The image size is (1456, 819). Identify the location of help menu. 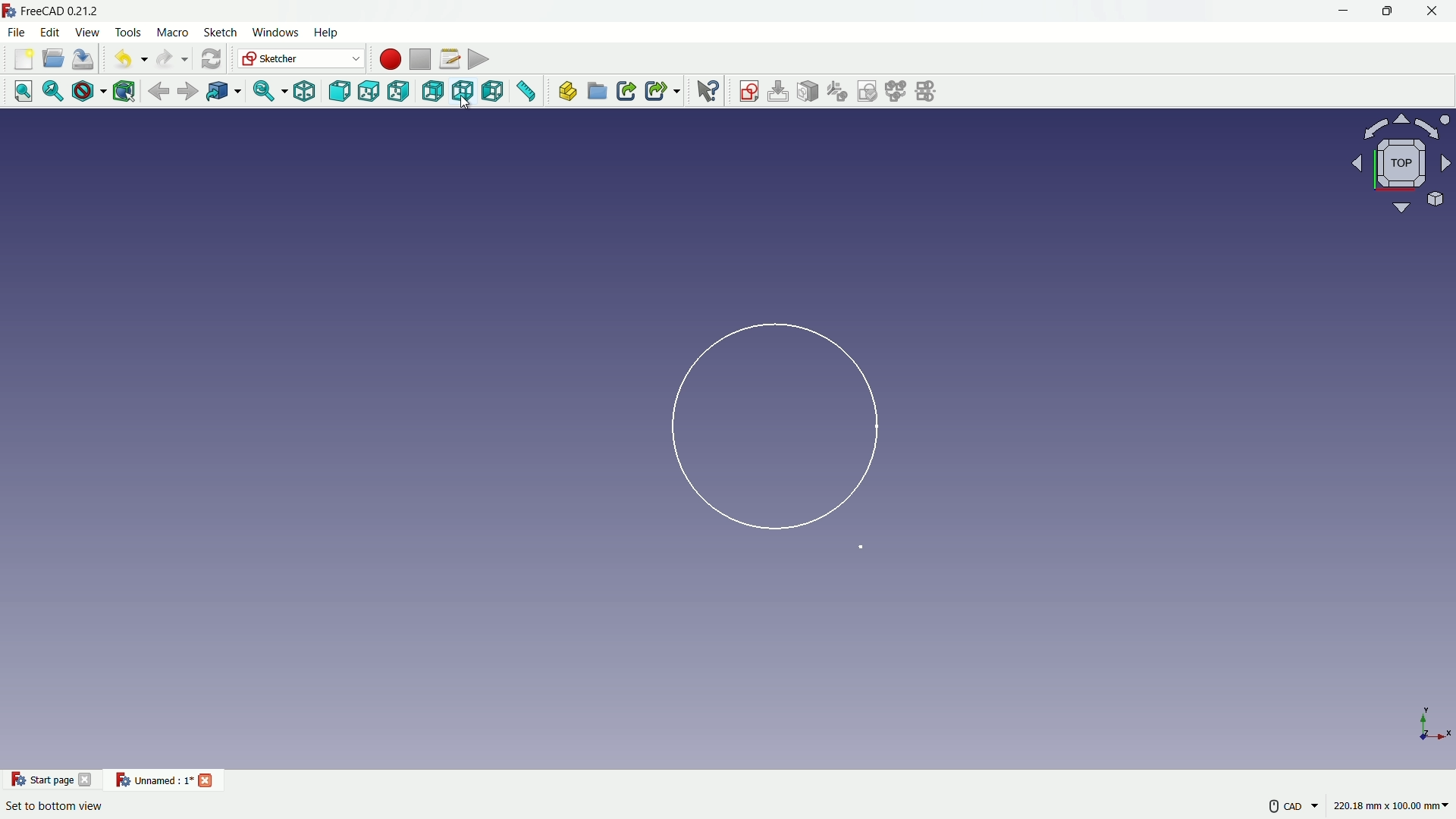
(327, 33).